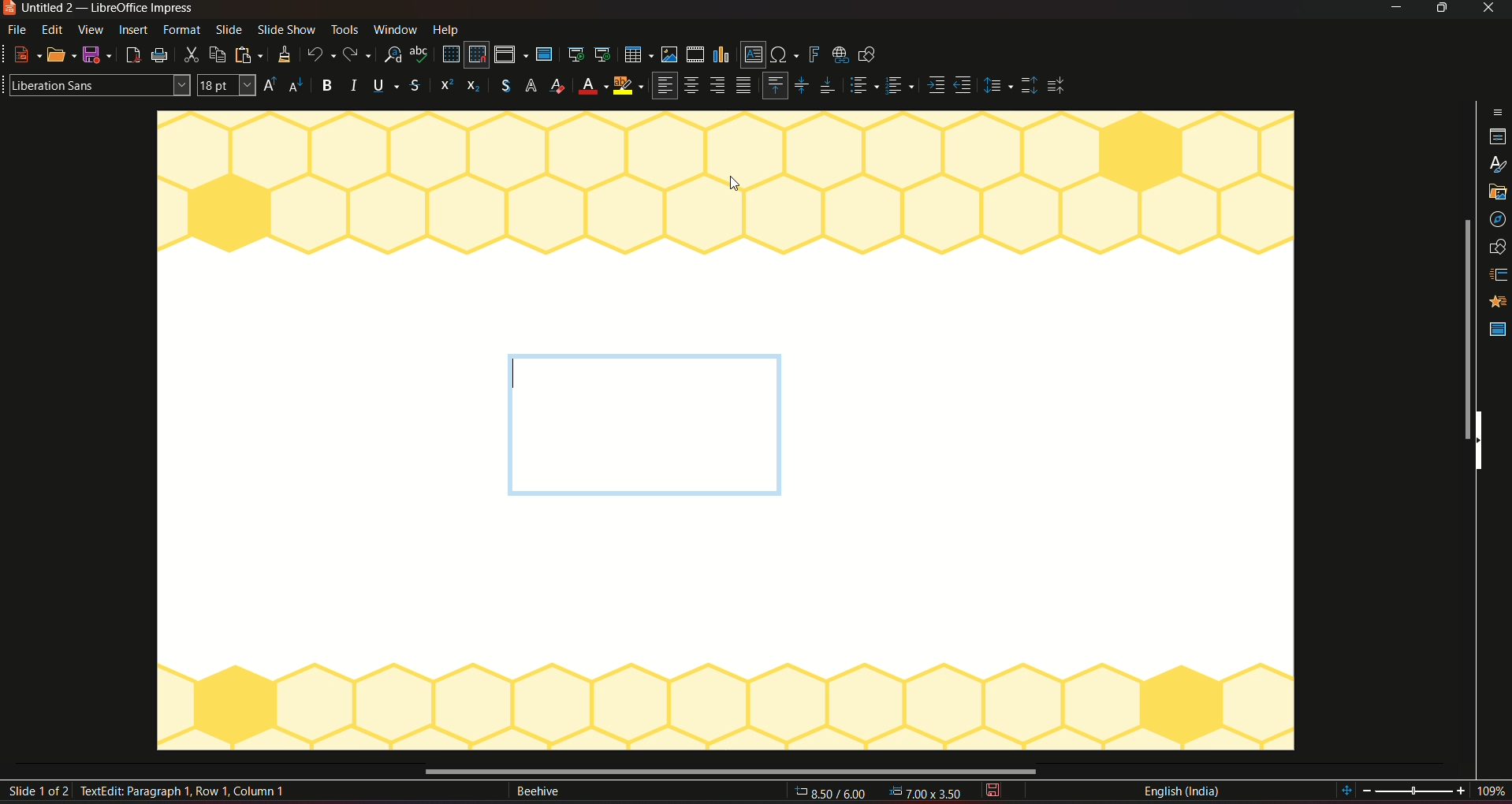  Describe the element at coordinates (1499, 242) in the screenshot. I see `slide transition ` at that location.